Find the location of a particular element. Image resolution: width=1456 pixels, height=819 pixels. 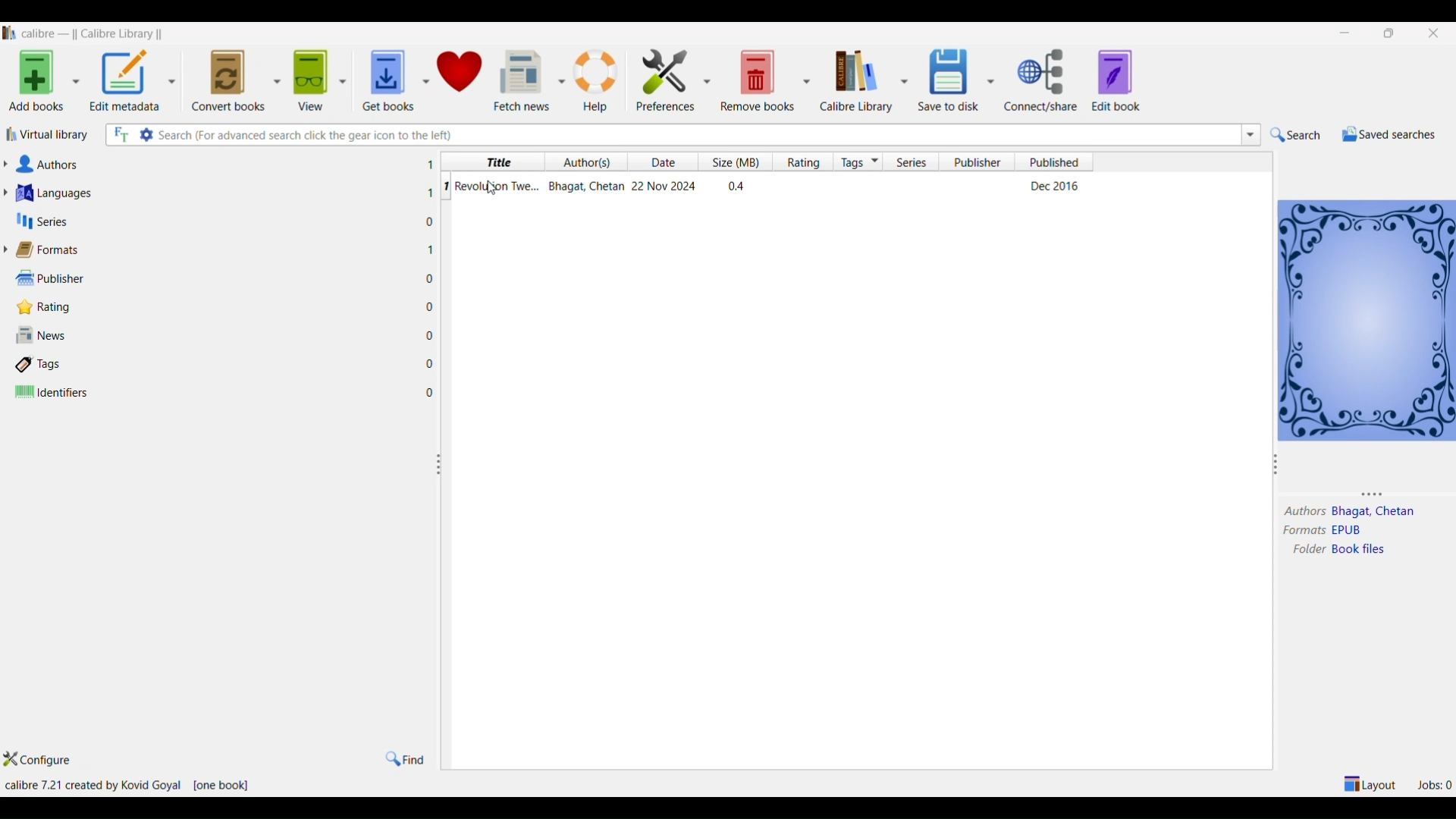

series and number of series is located at coordinates (42, 221).